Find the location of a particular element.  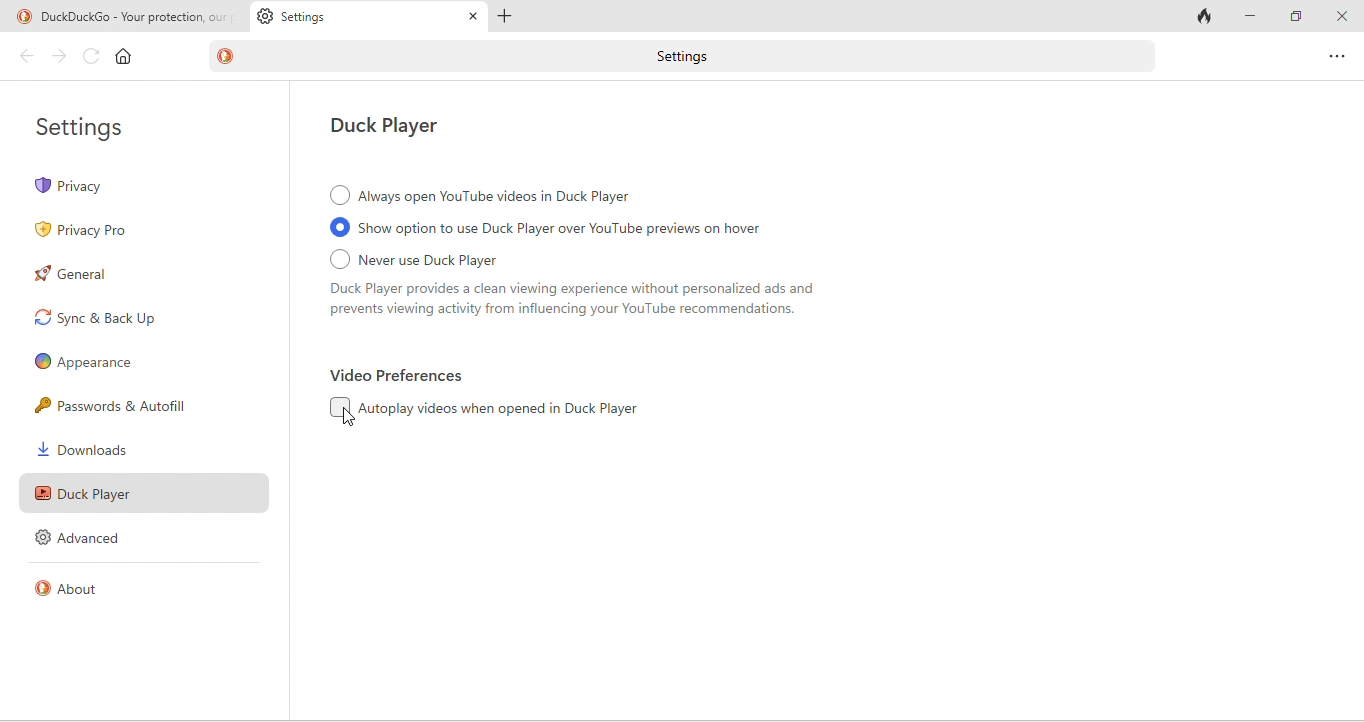

close is located at coordinates (1341, 17).